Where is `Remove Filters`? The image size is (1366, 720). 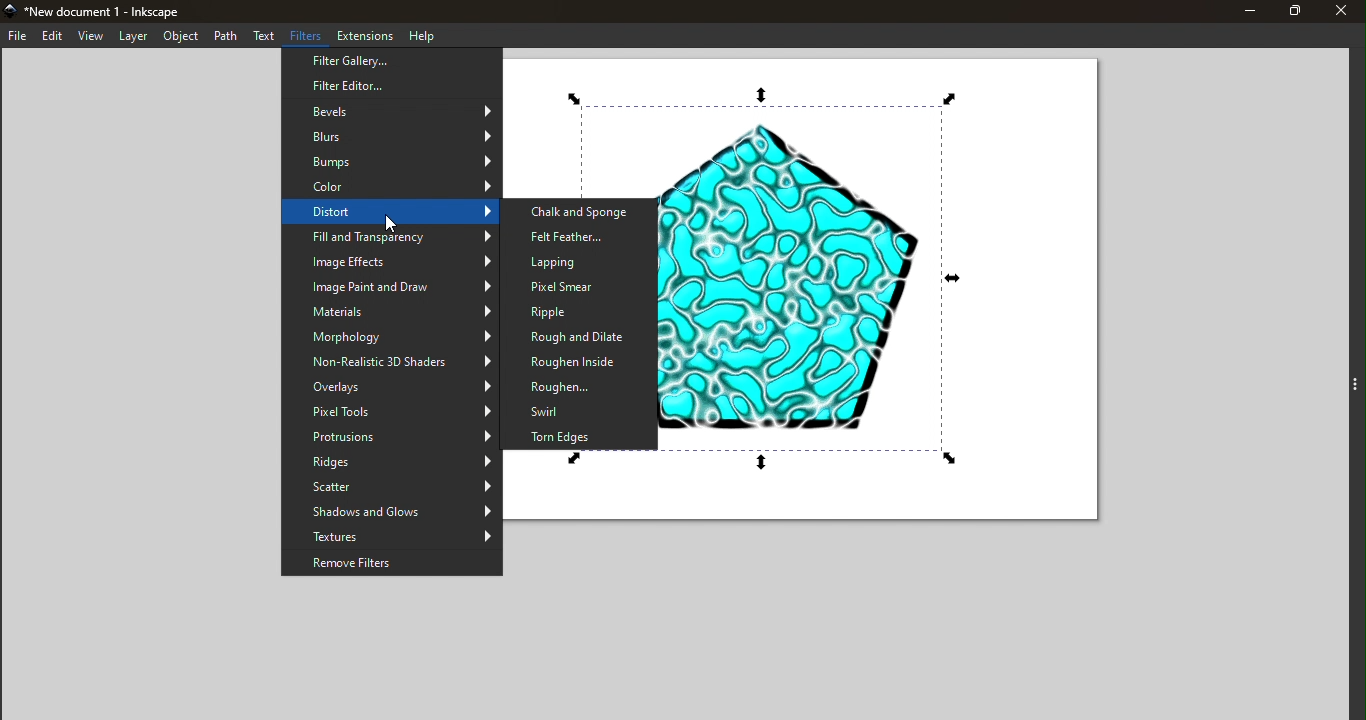
Remove Filters is located at coordinates (392, 563).